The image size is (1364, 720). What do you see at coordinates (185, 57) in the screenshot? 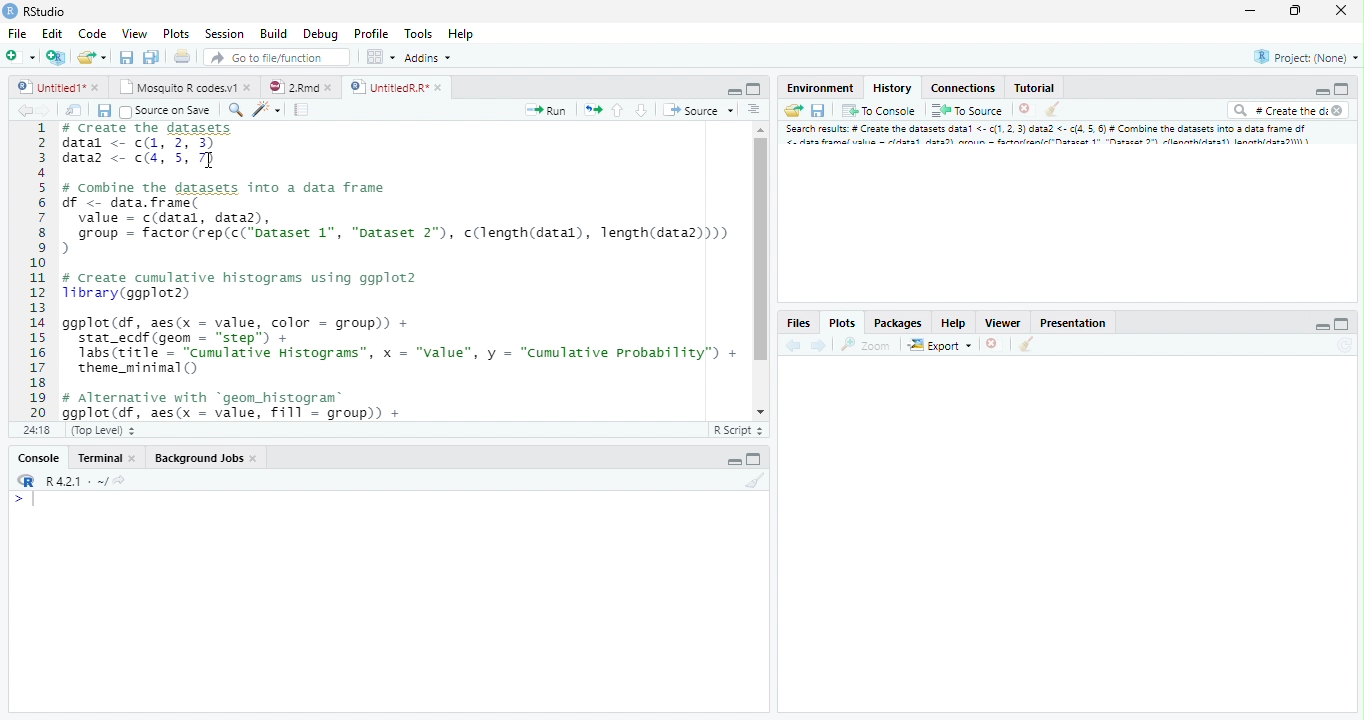
I see `Print` at bounding box center [185, 57].